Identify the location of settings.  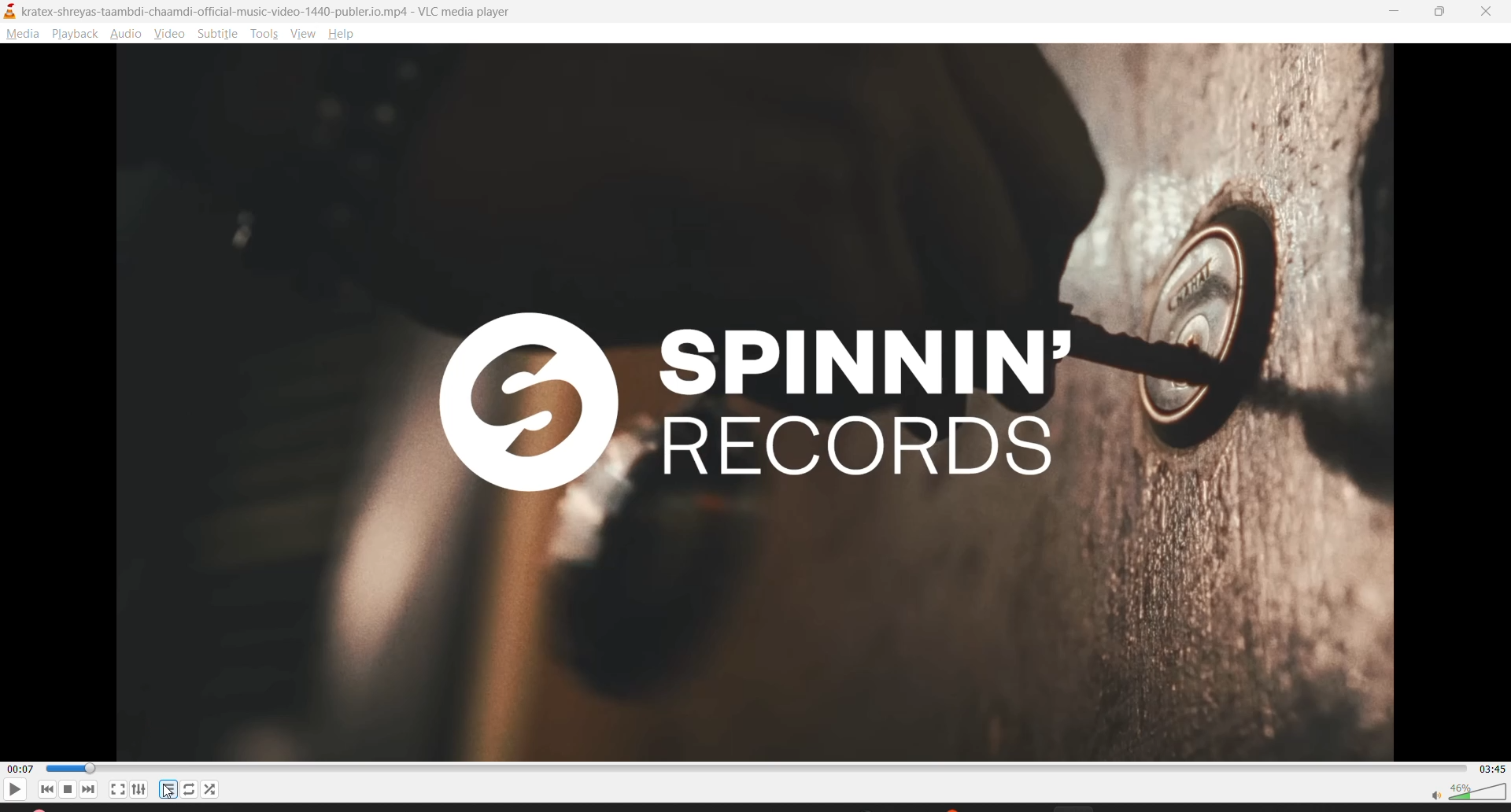
(138, 792).